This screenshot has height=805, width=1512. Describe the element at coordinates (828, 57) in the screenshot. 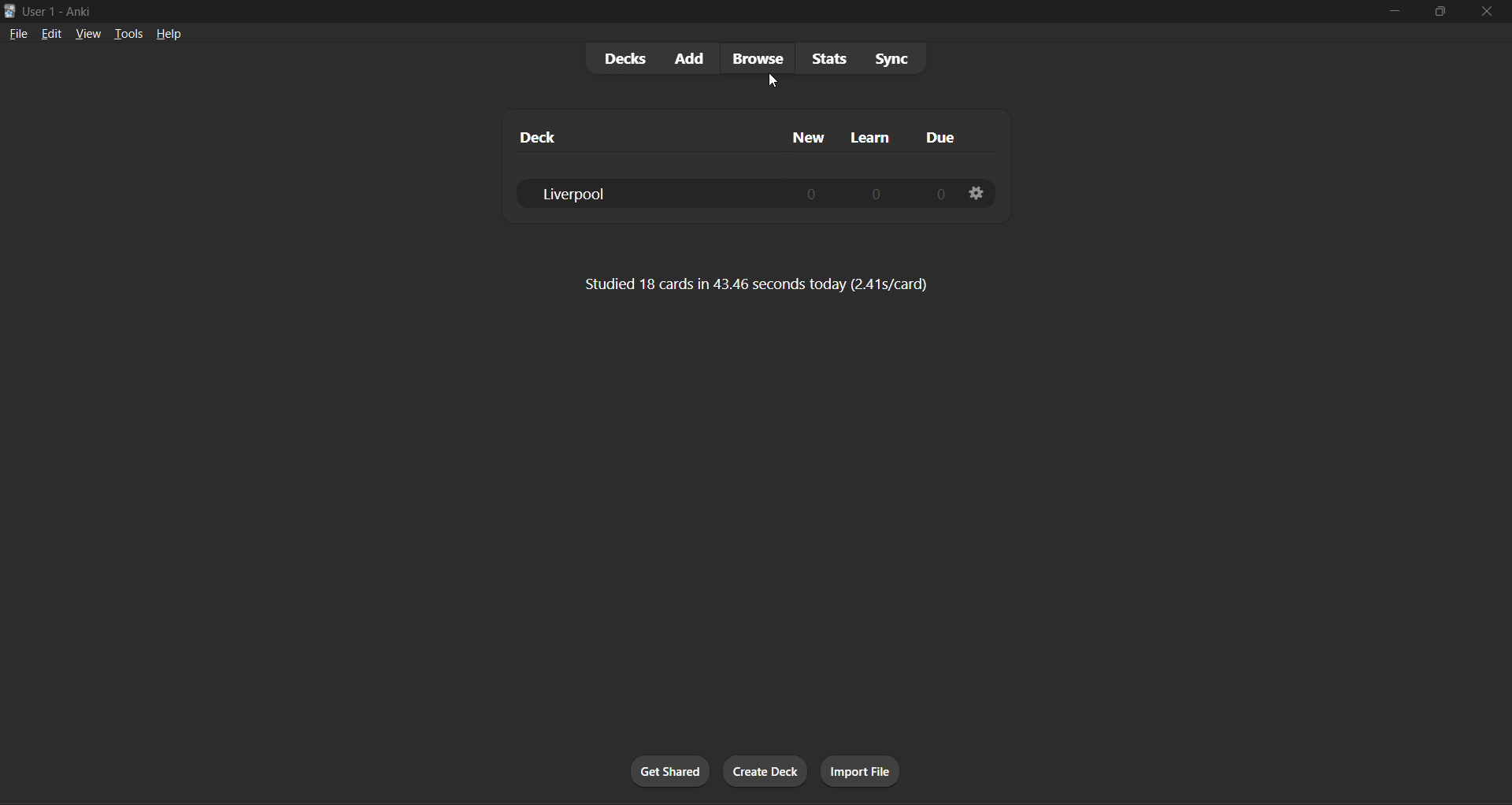

I see `stats` at that location.